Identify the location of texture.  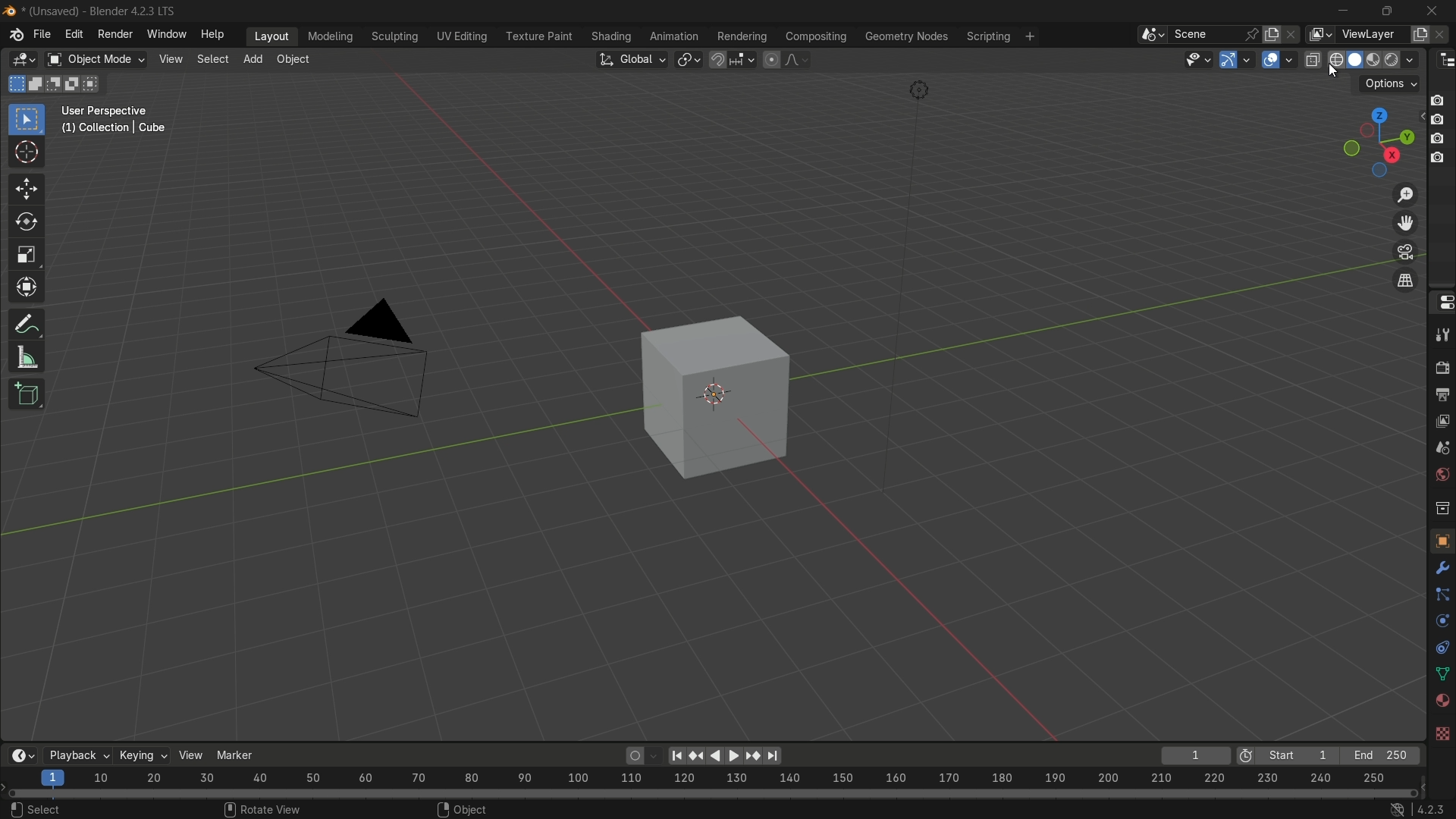
(1439, 731).